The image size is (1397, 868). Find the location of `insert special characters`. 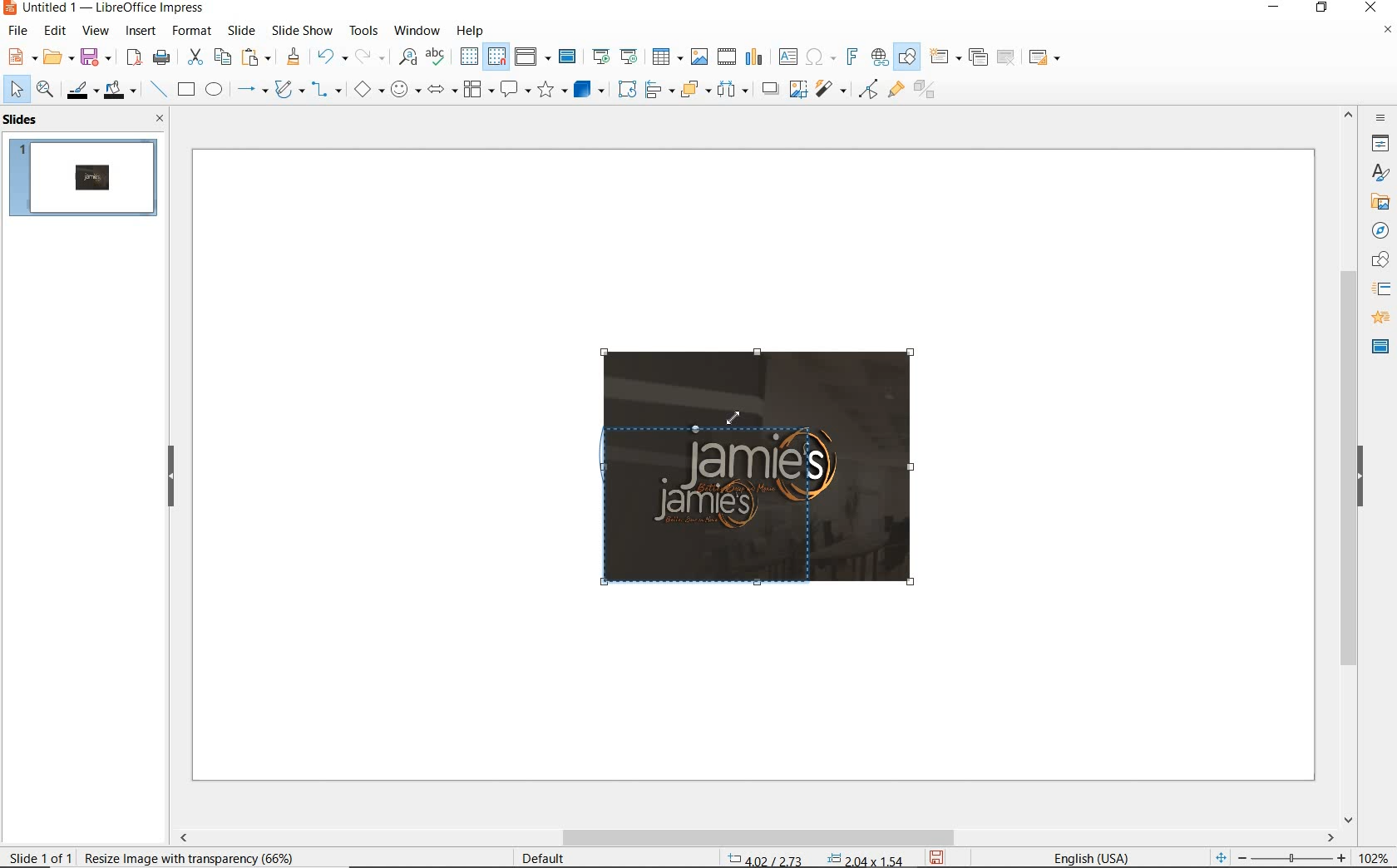

insert special characters is located at coordinates (817, 55).